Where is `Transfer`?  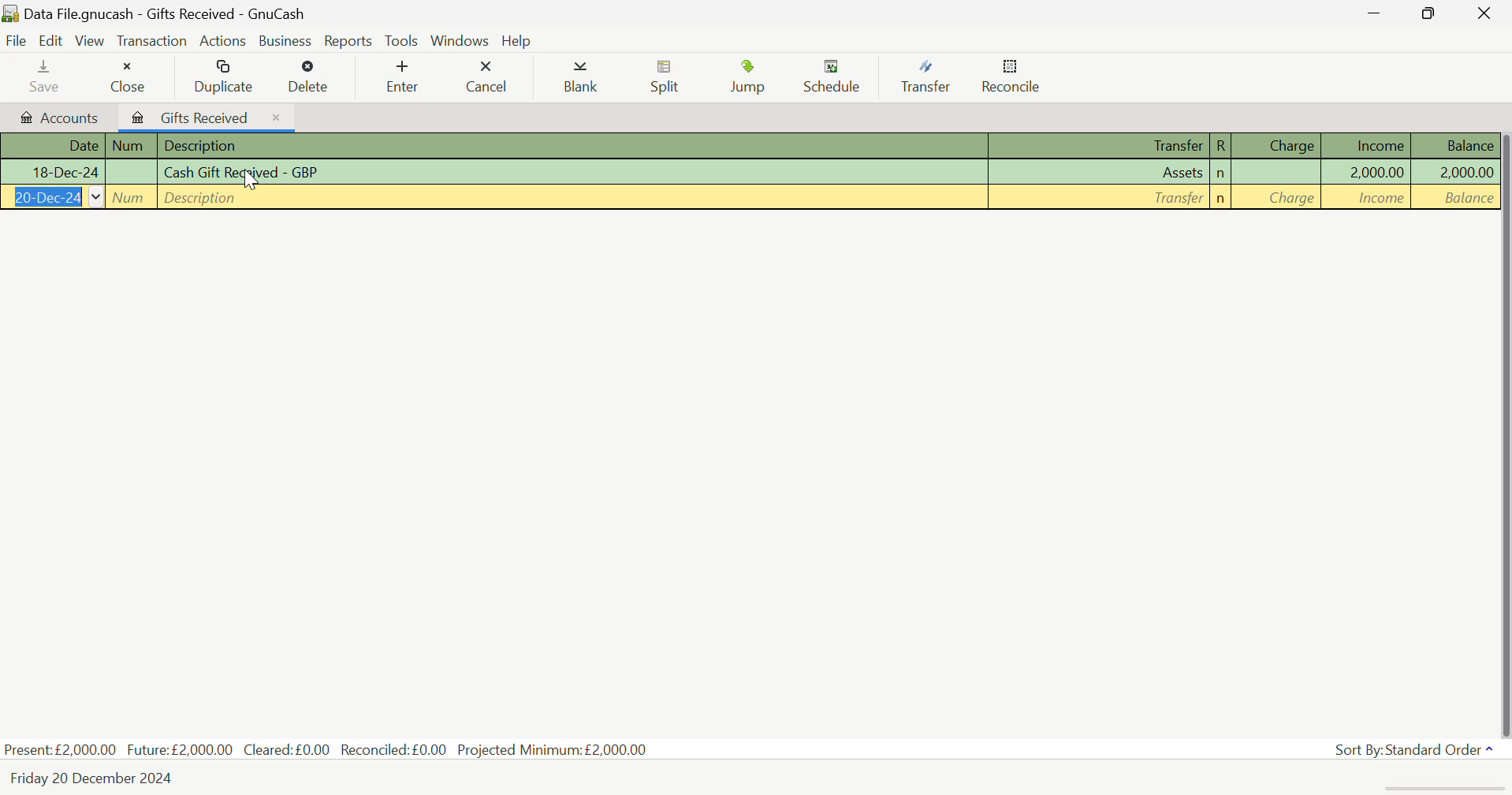
Transfer is located at coordinates (1101, 147).